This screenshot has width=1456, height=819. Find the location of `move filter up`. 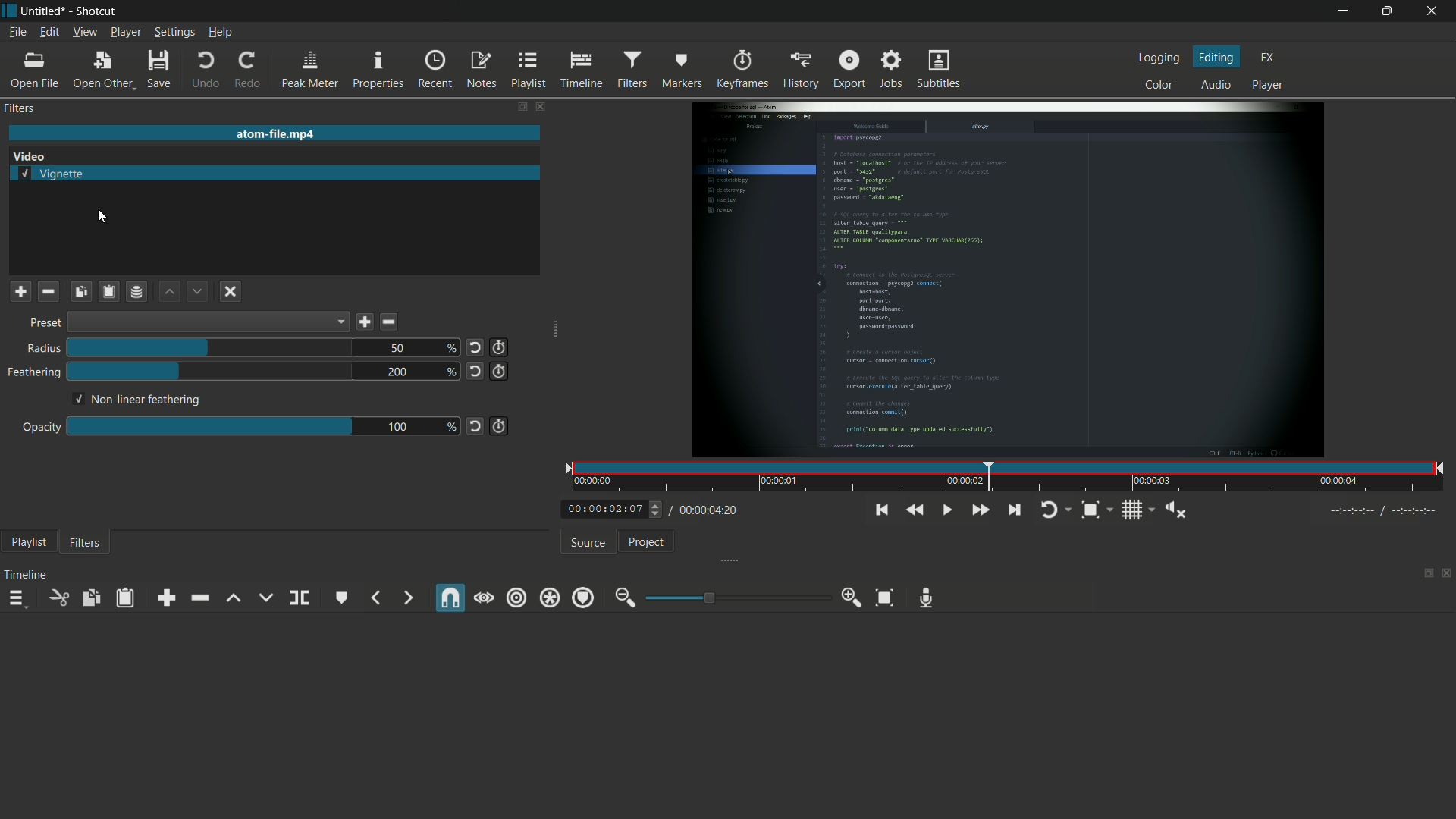

move filter up is located at coordinates (168, 292).